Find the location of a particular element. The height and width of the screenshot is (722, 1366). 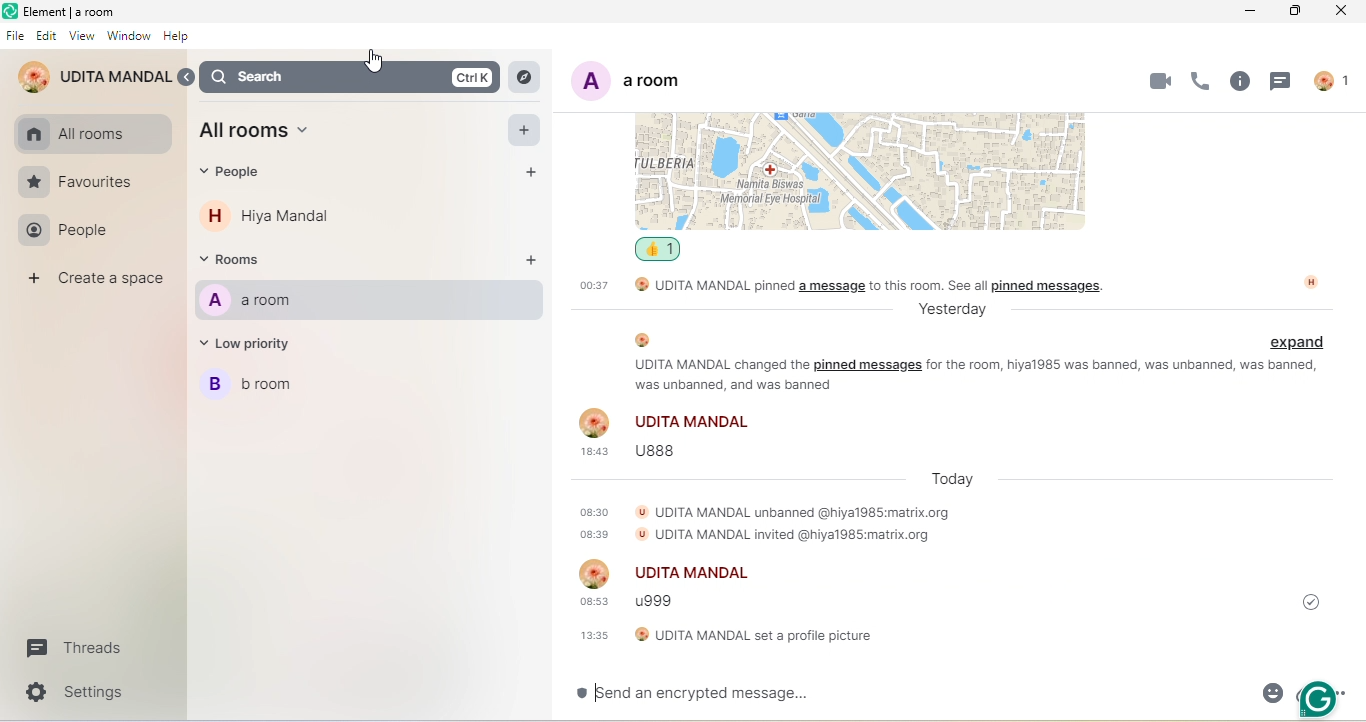

UDITA MANDAL changed the pinned messages for the room, hiya1985 was banned, was unbanned, was banned,
was unbanned, and was banned is located at coordinates (959, 376).